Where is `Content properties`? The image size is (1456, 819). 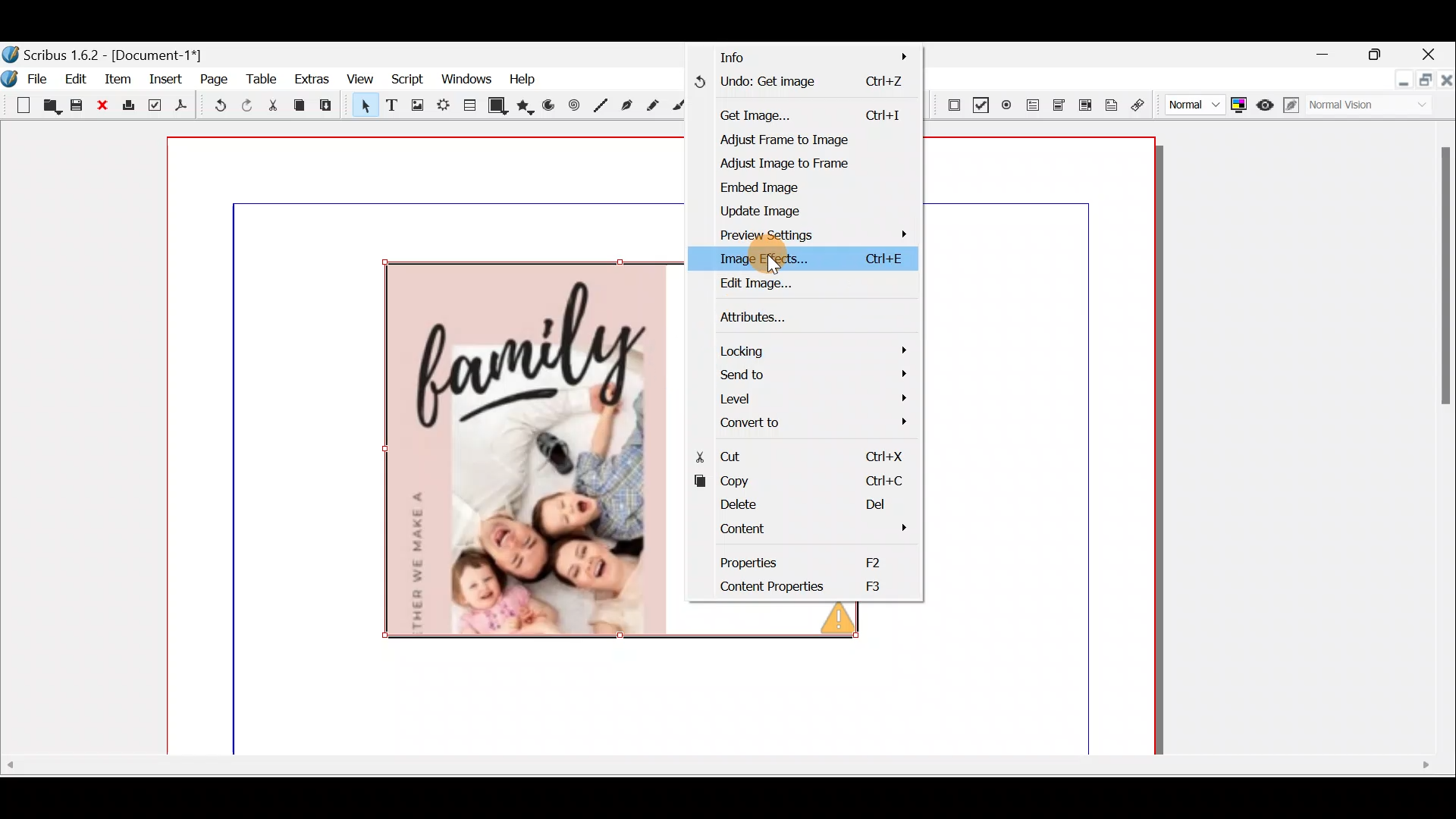
Content properties is located at coordinates (795, 588).